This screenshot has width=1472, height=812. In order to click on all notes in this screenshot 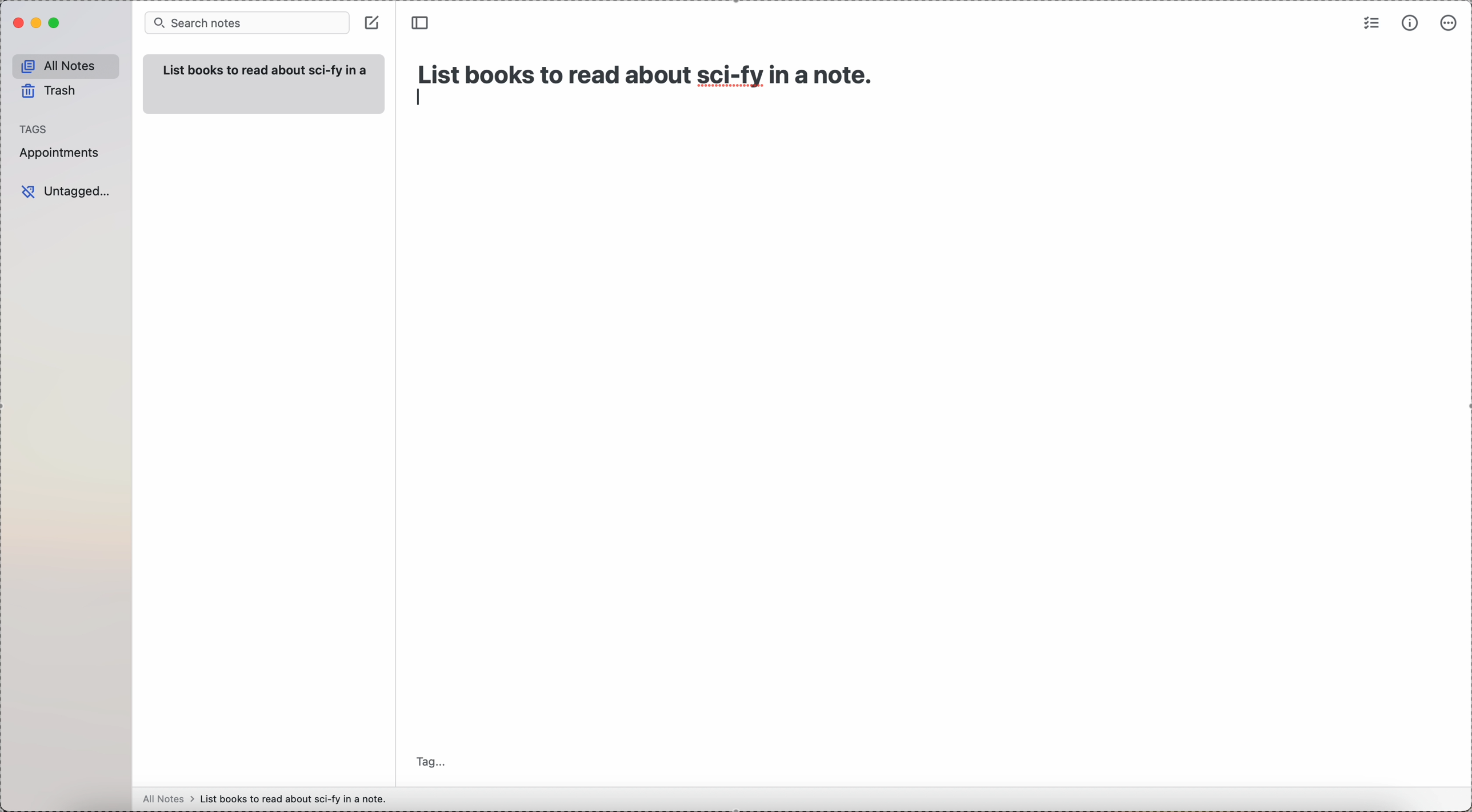, I will do `click(63, 64)`.